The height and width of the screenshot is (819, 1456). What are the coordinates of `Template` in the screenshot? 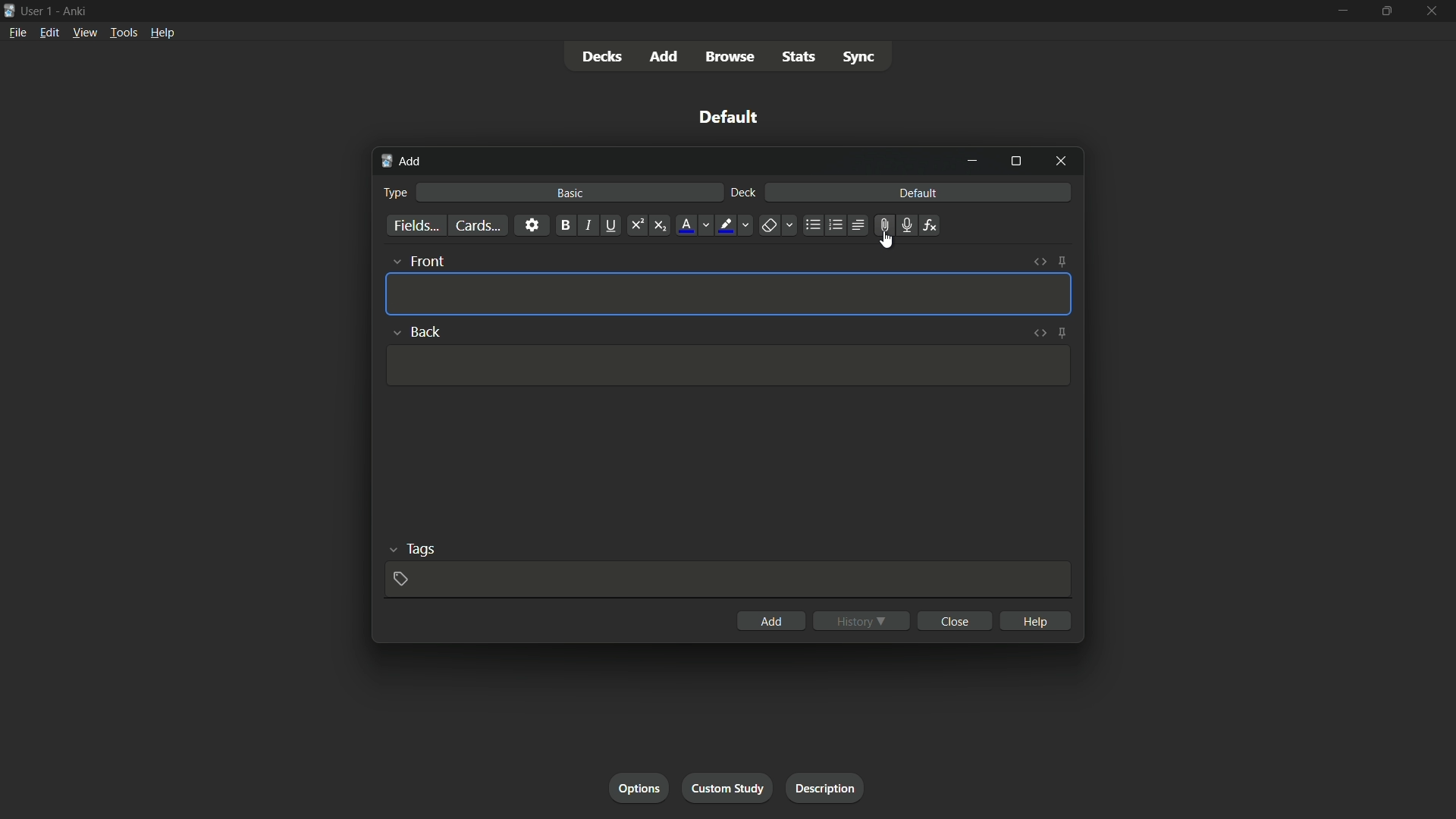 It's located at (729, 293).